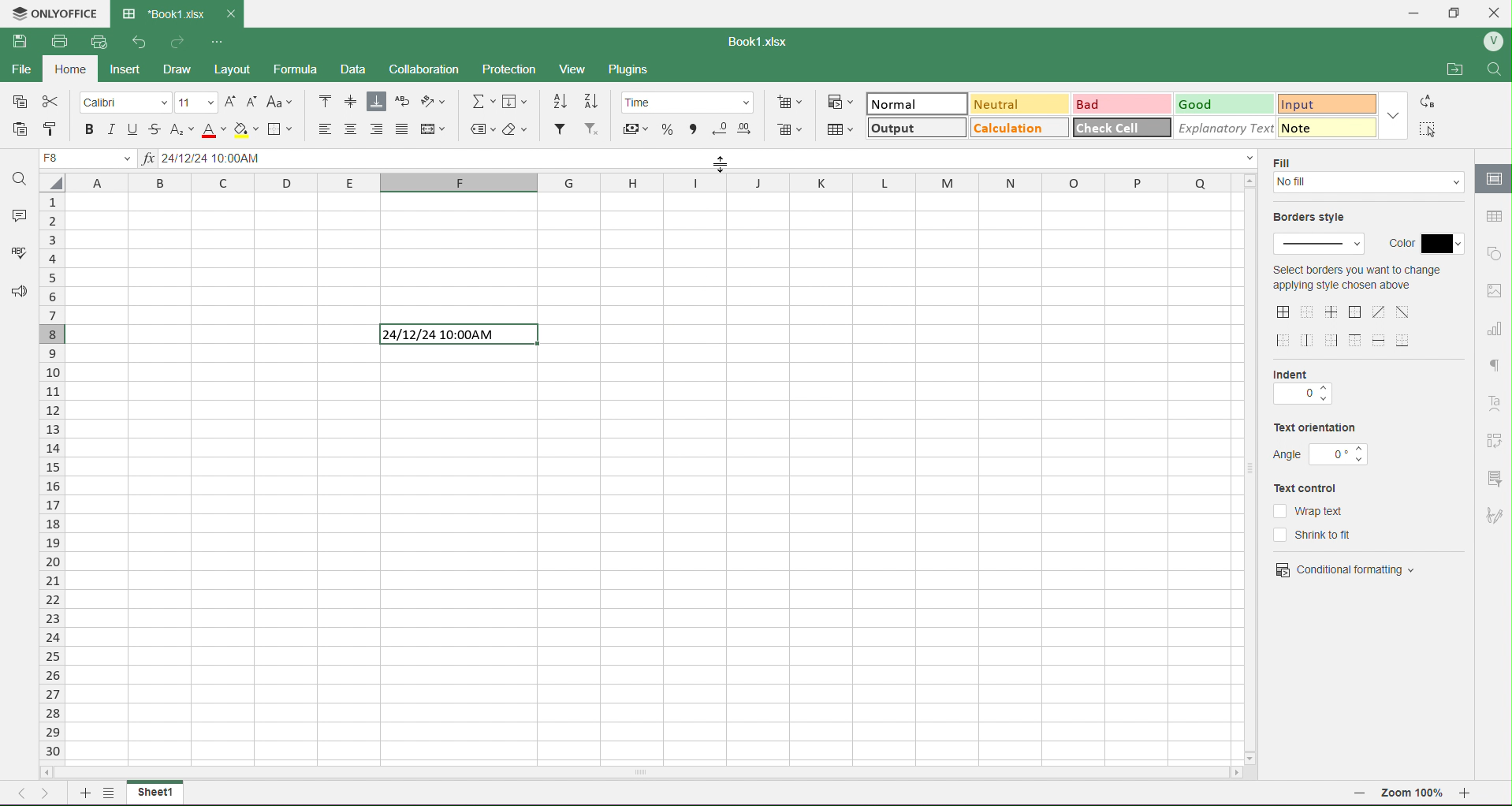 The height and width of the screenshot is (806, 1512). What do you see at coordinates (635, 128) in the screenshot?
I see `Accounting Style` at bounding box center [635, 128].